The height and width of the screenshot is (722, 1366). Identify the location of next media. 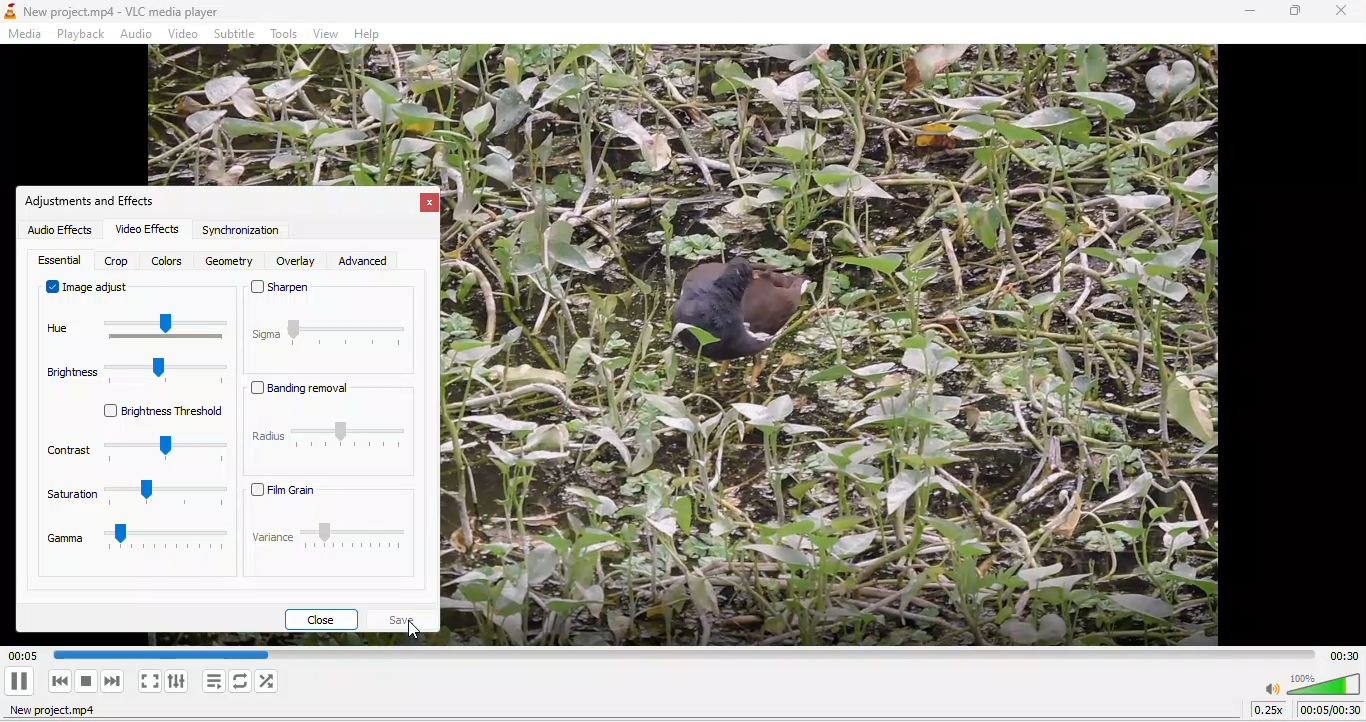
(113, 684).